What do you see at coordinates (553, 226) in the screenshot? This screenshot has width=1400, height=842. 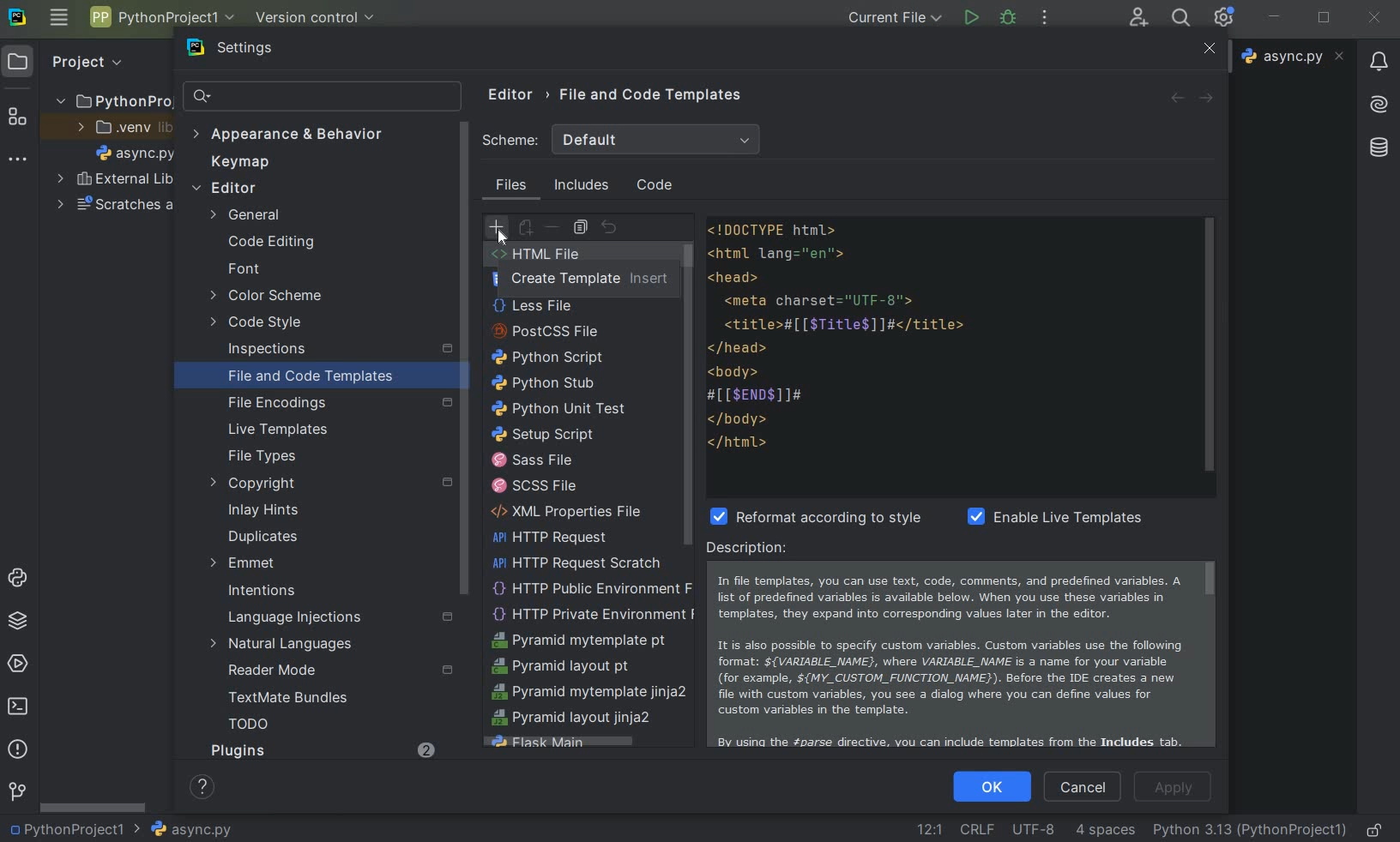 I see `remove template` at bounding box center [553, 226].